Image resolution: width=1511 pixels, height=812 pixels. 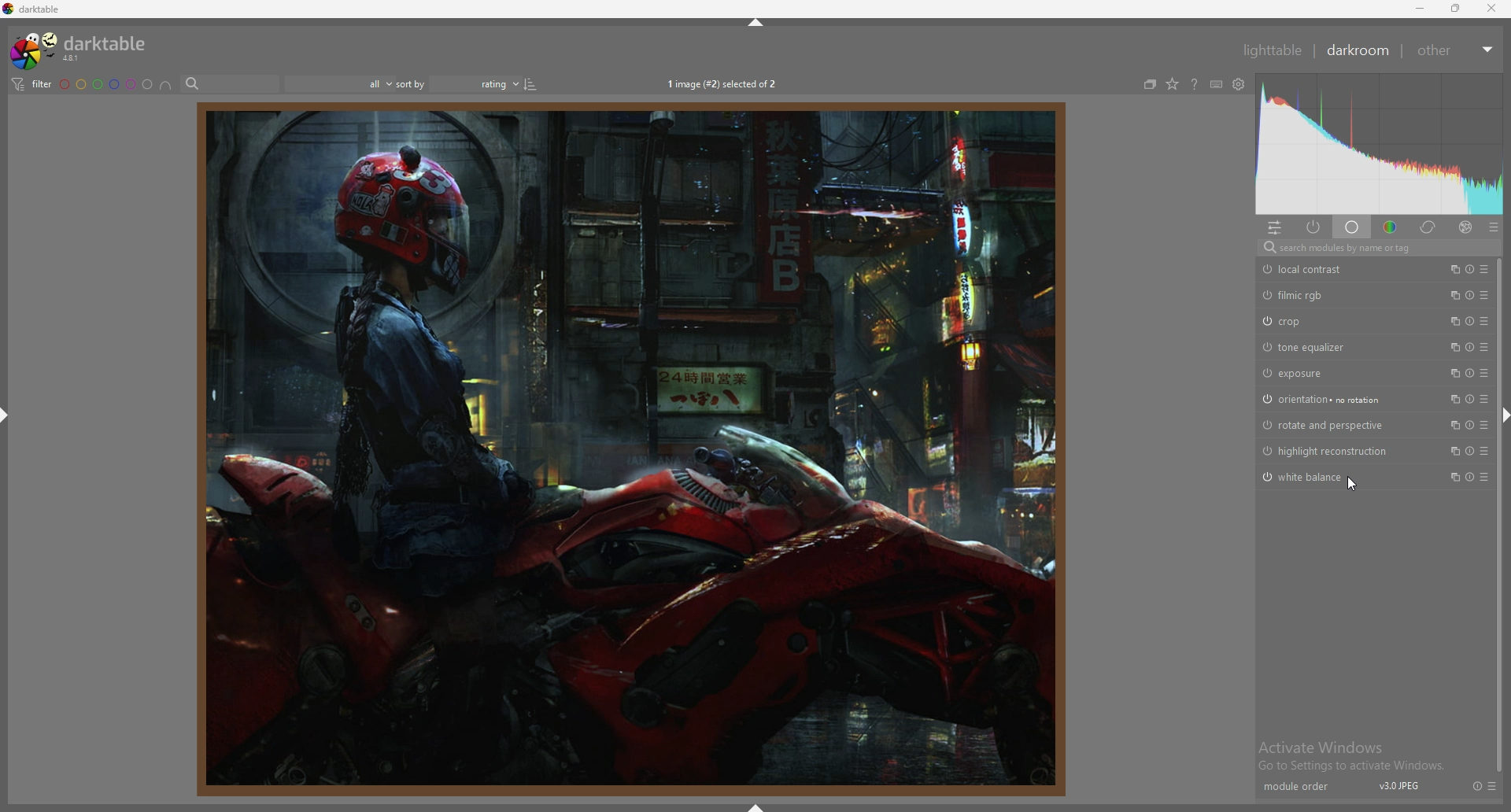 I want to click on reset, so click(x=1471, y=400).